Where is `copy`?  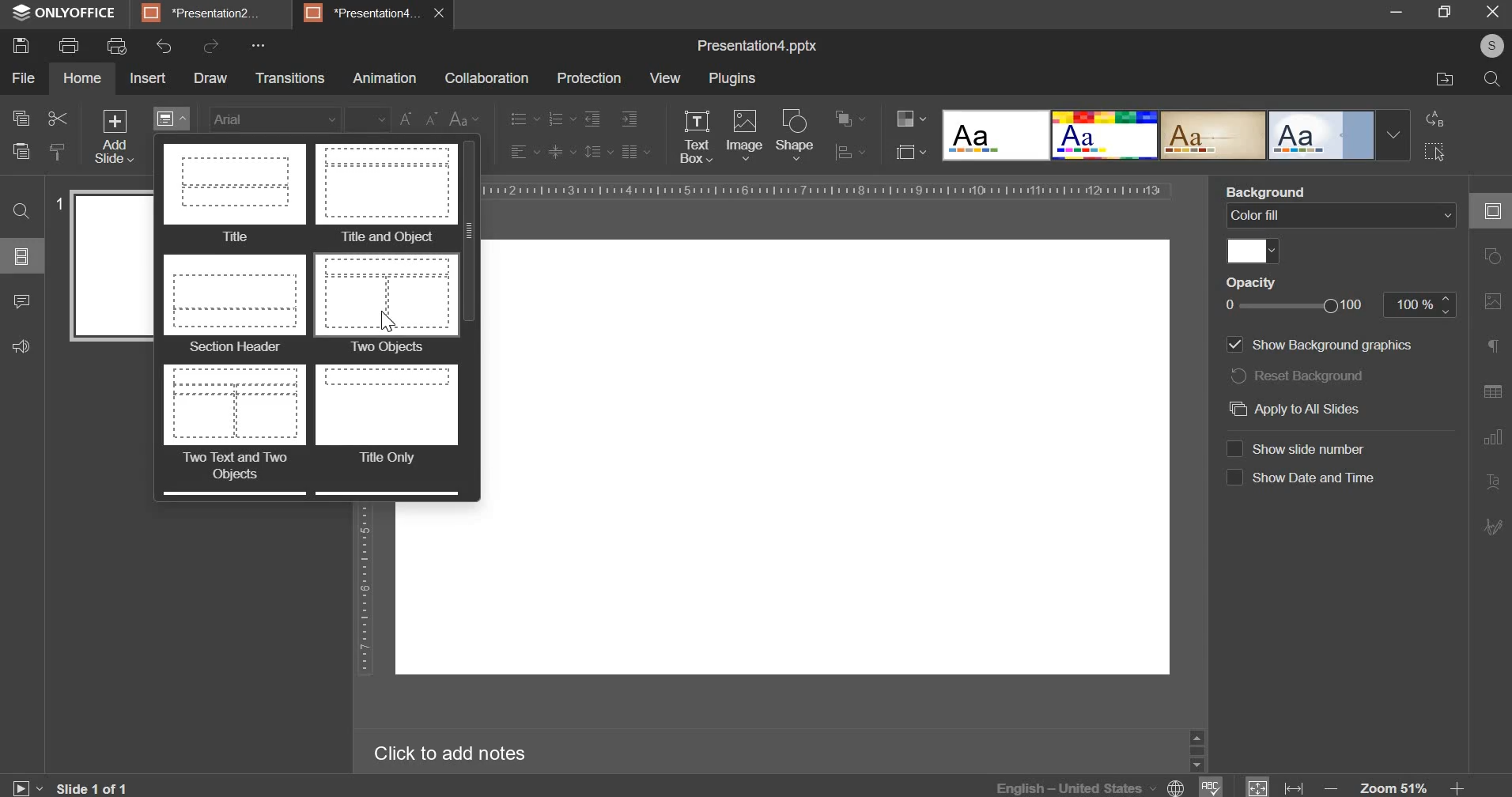 copy is located at coordinates (20, 119).